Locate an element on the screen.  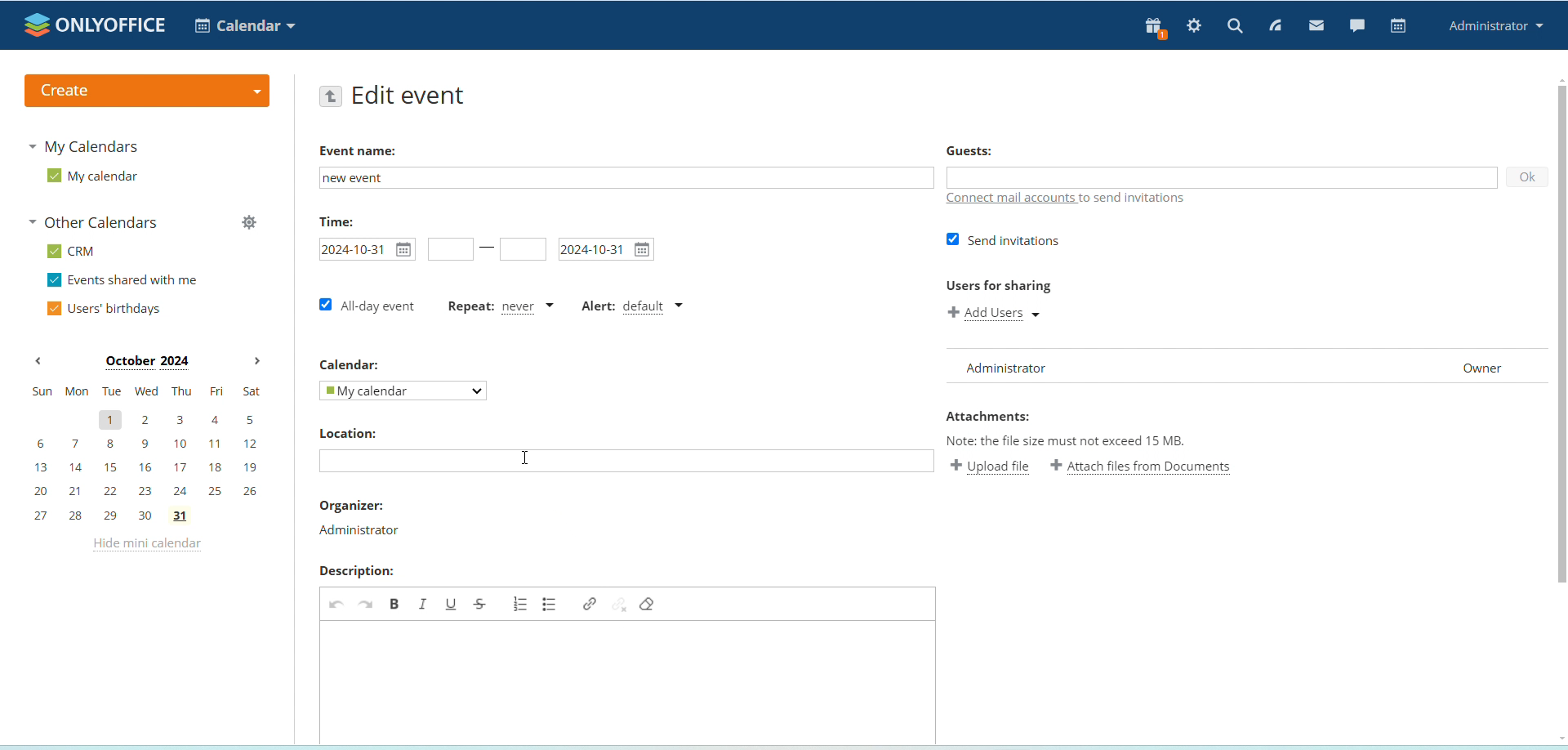
location is located at coordinates (347, 434).